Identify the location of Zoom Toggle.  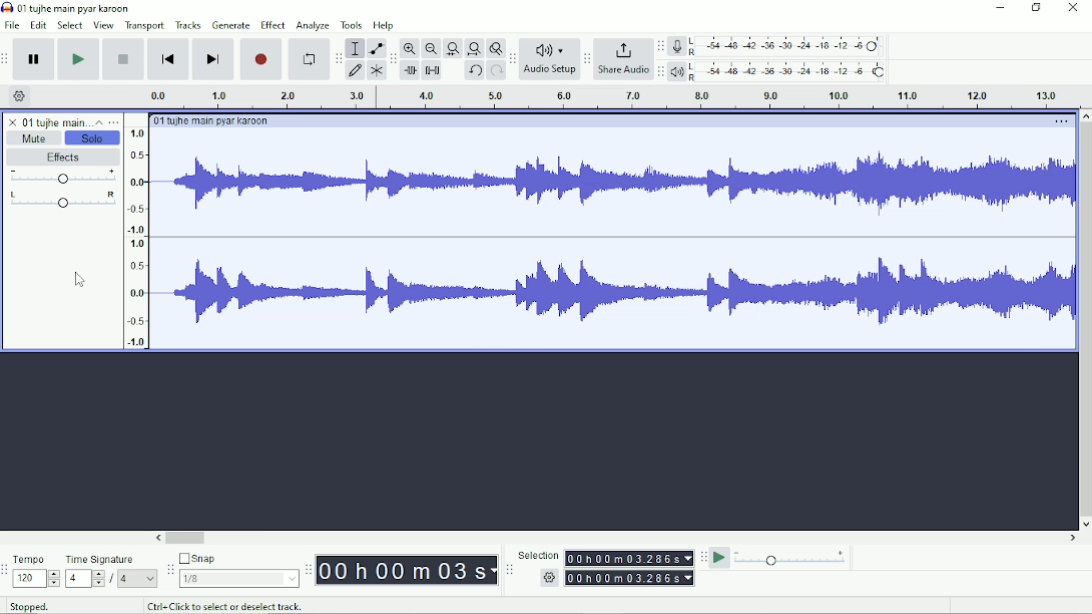
(494, 48).